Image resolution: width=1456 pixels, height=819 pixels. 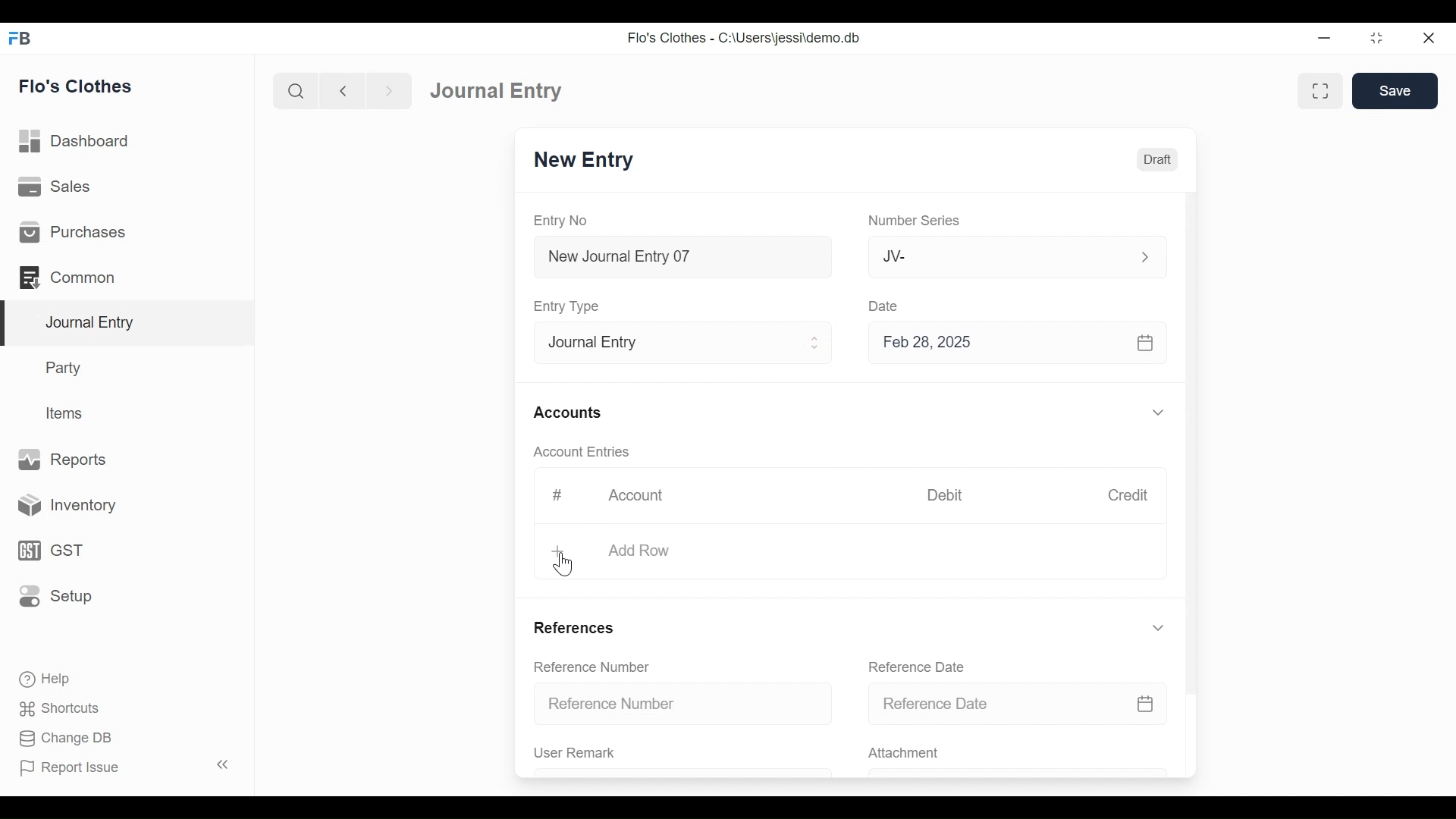 What do you see at coordinates (670, 344) in the screenshot?
I see `Entry Type` at bounding box center [670, 344].